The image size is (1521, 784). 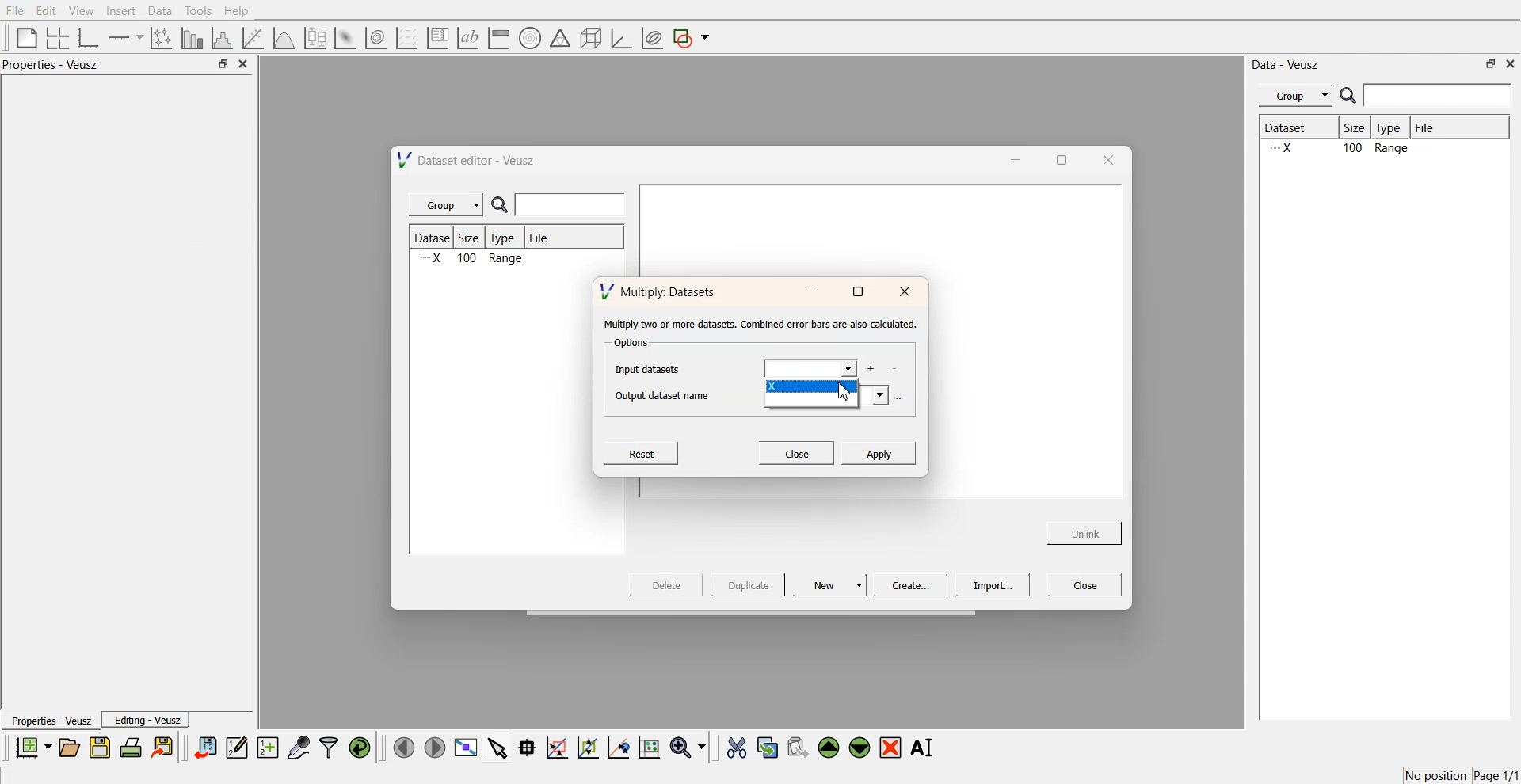 What do you see at coordinates (925, 748) in the screenshot?
I see `Rename the selected widgets` at bounding box center [925, 748].